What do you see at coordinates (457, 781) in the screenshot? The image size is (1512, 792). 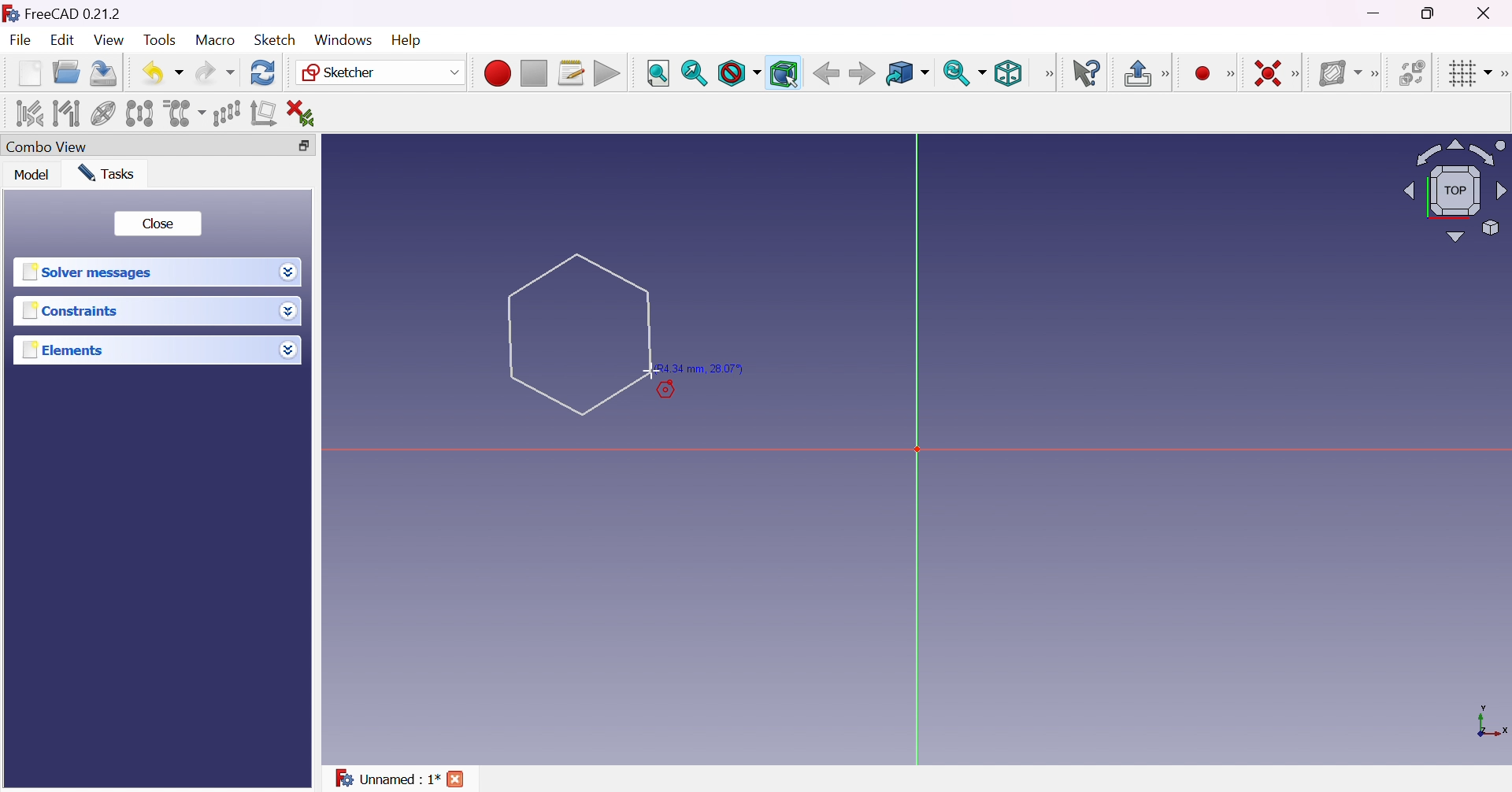 I see `Close` at bounding box center [457, 781].